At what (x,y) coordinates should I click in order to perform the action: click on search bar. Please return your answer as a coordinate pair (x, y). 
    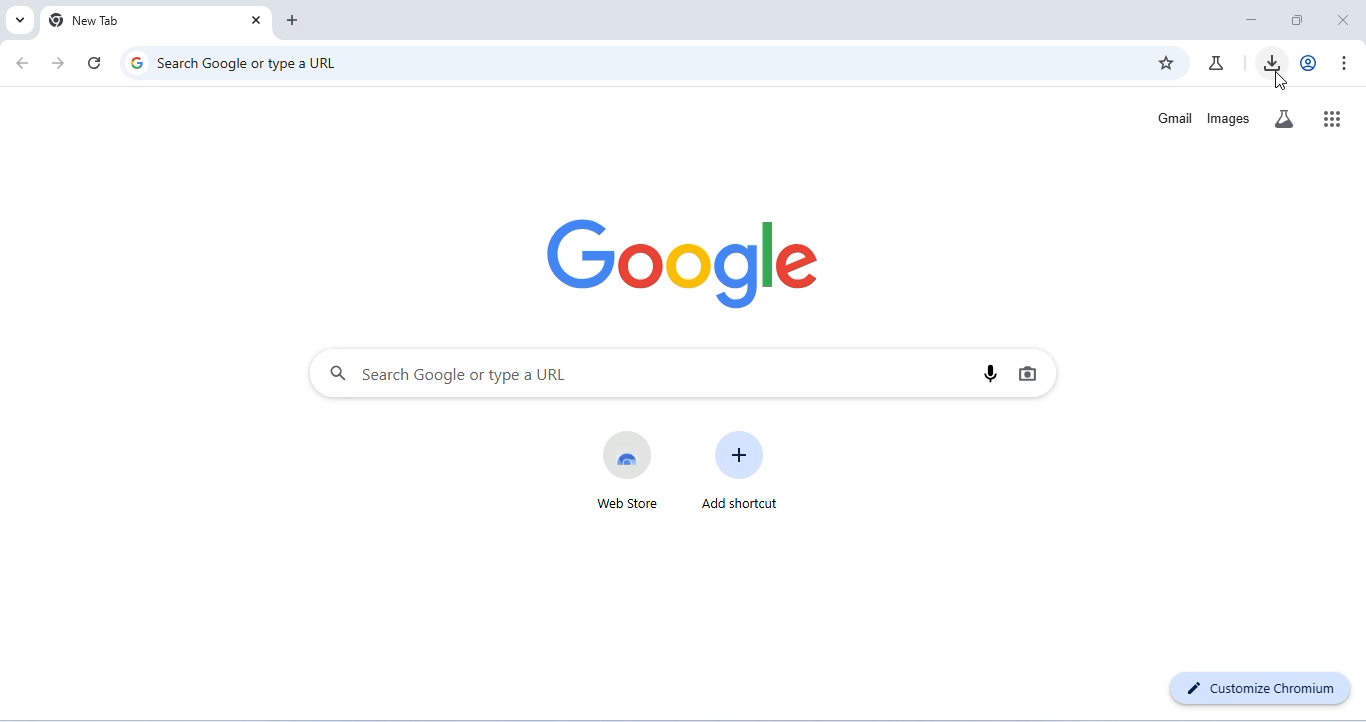
    Looking at the image, I should click on (636, 375).